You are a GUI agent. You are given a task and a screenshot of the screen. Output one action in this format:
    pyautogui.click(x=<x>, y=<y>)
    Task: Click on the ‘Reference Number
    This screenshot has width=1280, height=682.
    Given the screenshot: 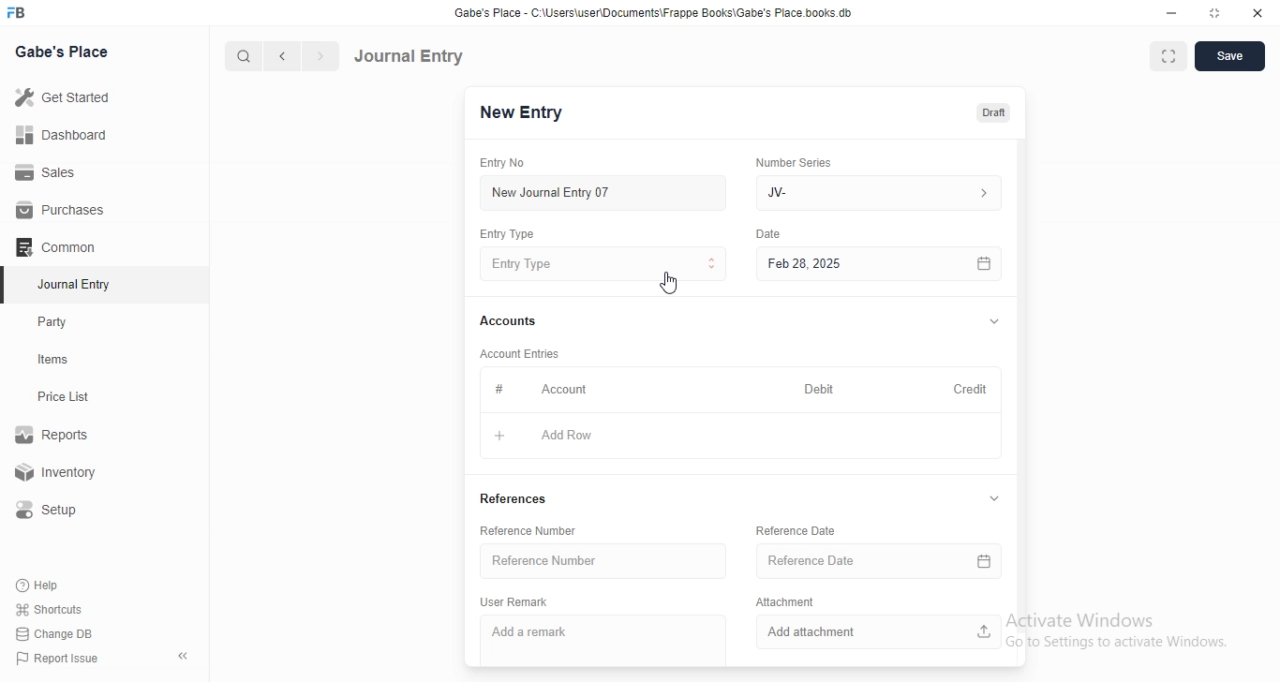 What is the action you would take?
    pyautogui.click(x=529, y=530)
    